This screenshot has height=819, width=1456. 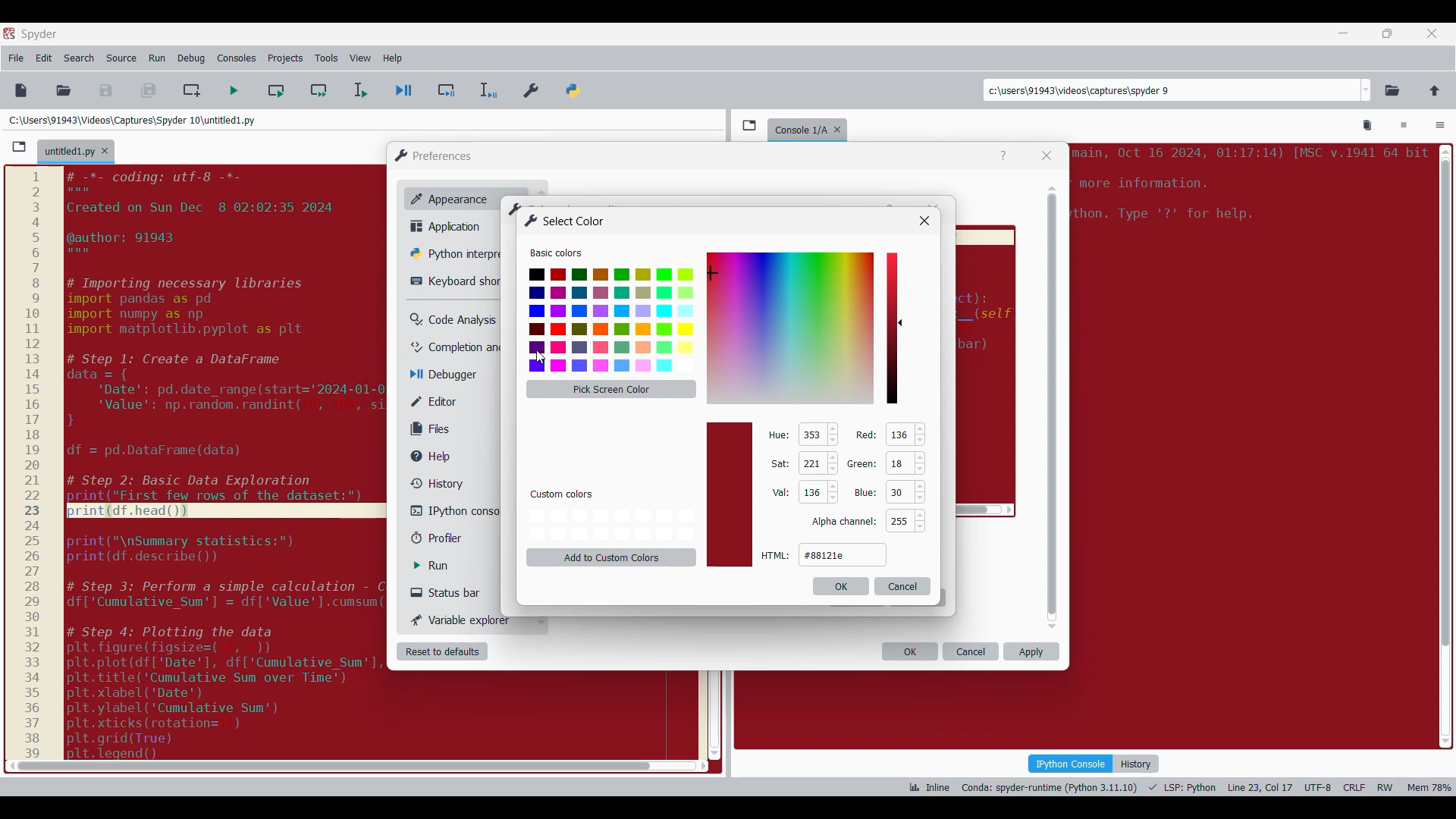 What do you see at coordinates (892, 328) in the screenshot?
I see `Color scale` at bounding box center [892, 328].